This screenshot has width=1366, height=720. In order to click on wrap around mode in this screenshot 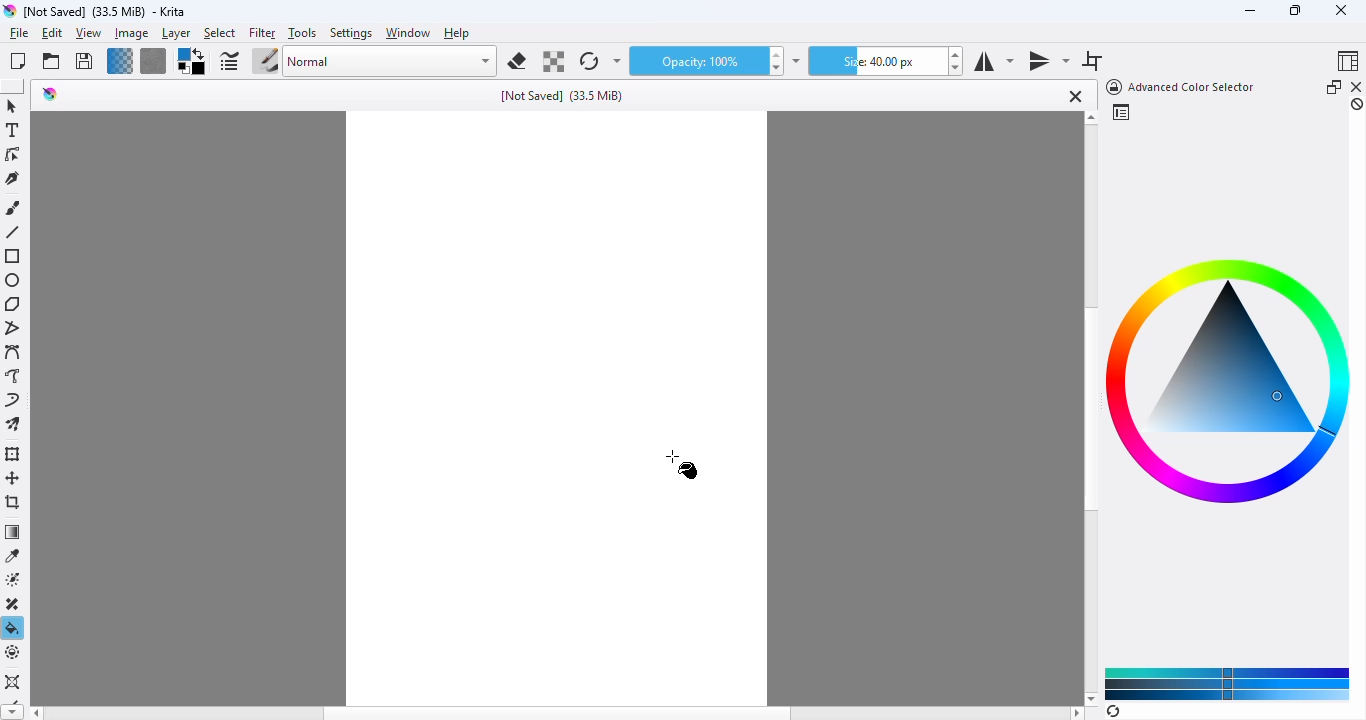, I will do `click(1092, 61)`.